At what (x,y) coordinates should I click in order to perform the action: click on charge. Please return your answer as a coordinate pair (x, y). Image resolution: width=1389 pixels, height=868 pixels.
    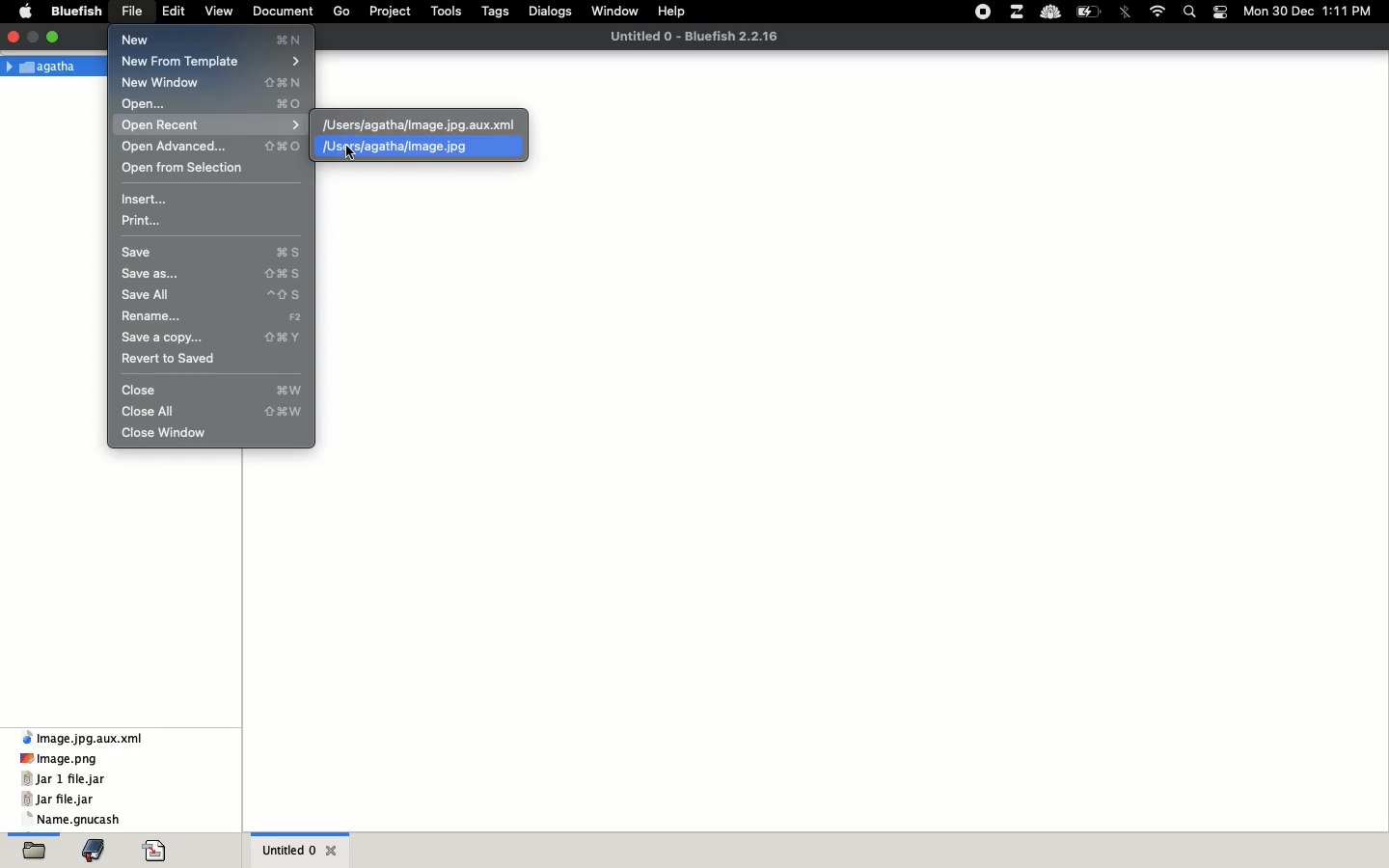
    Looking at the image, I should click on (1093, 10).